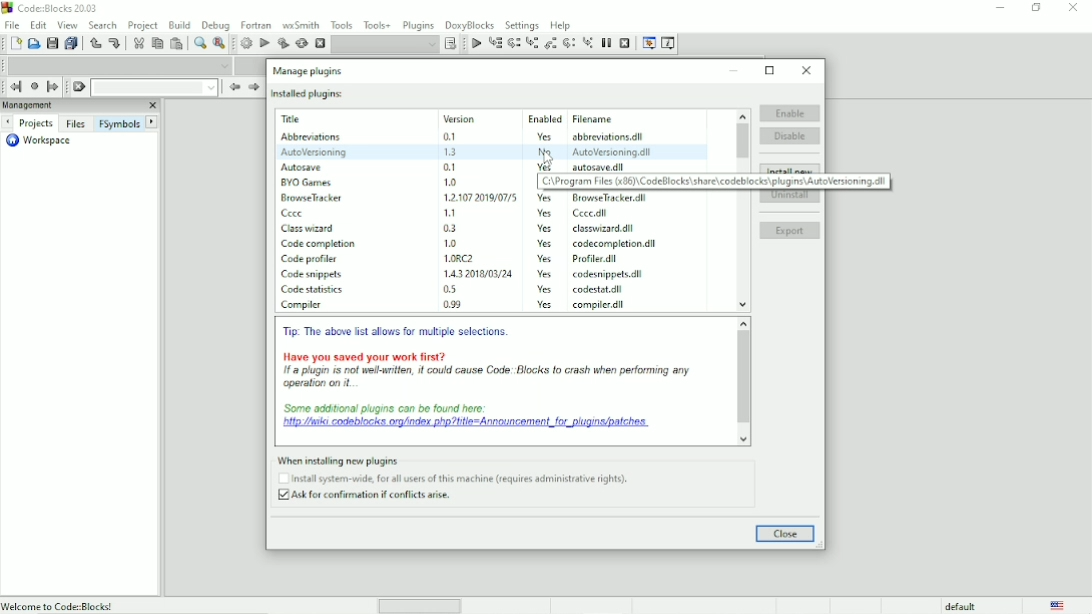  What do you see at coordinates (960, 606) in the screenshot?
I see `default` at bounding box center [960, 606].